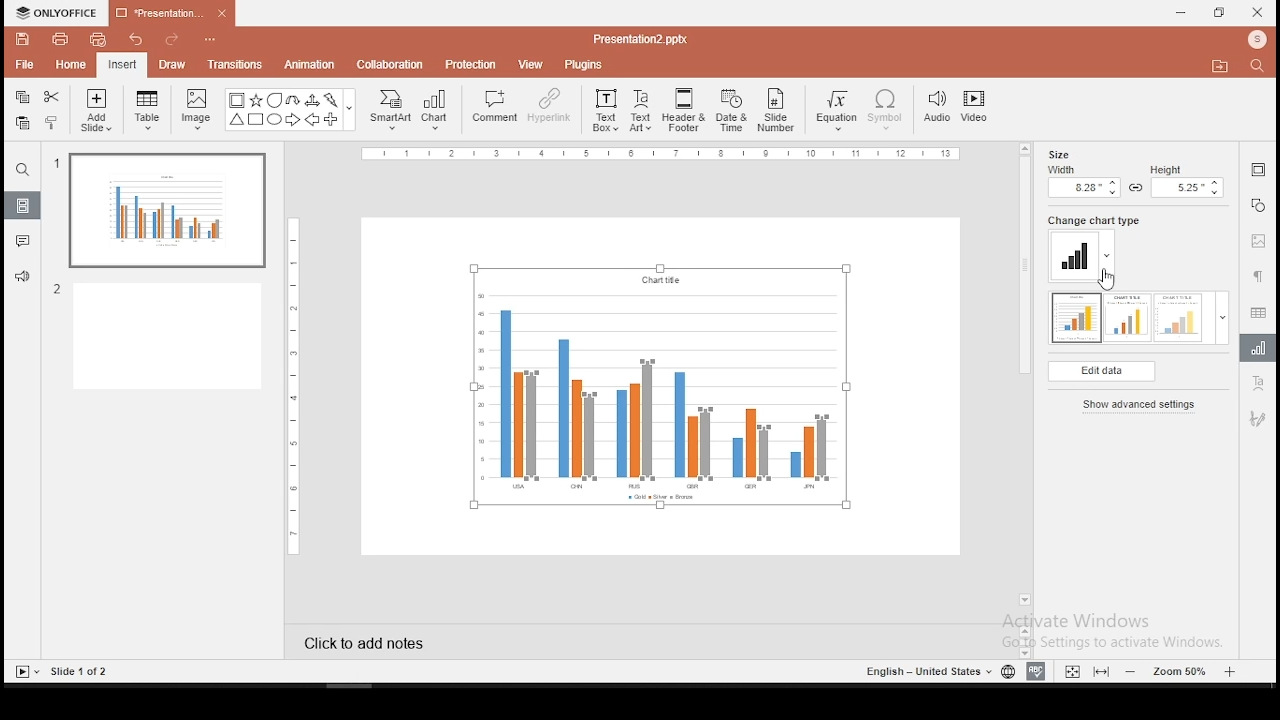 This screenshot has width=1280, height=720. I want to click on date and time, so click(730, 110).